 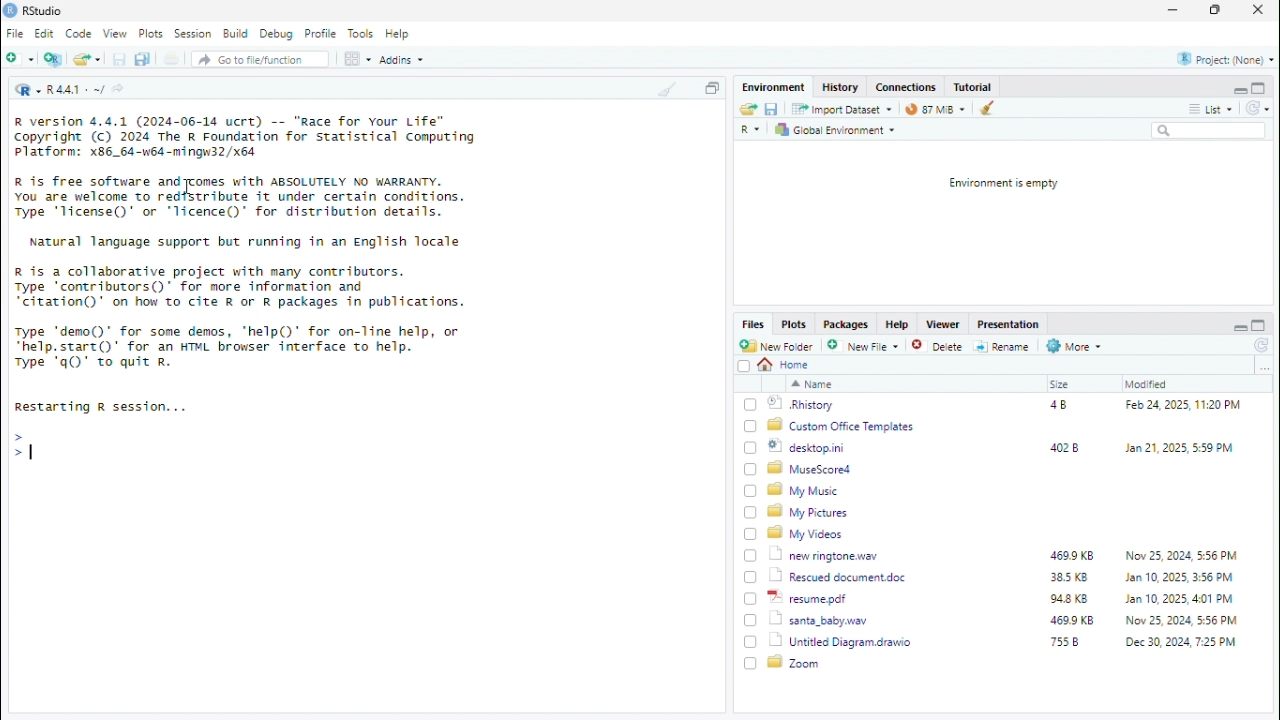 I want to click on History, so click(x=841, y=87).